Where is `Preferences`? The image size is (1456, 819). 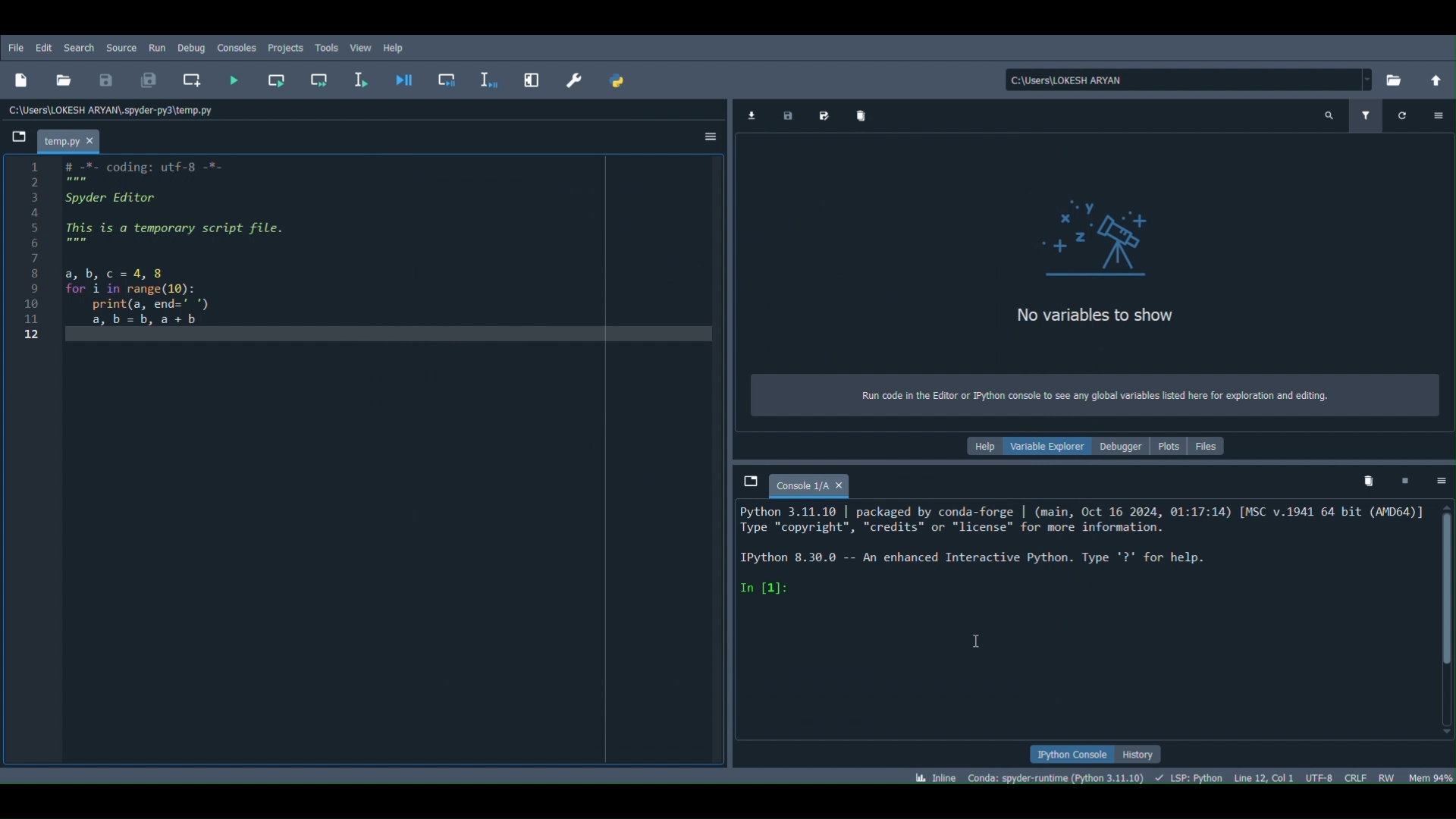 Preferences is located at coordinates (578, 78).